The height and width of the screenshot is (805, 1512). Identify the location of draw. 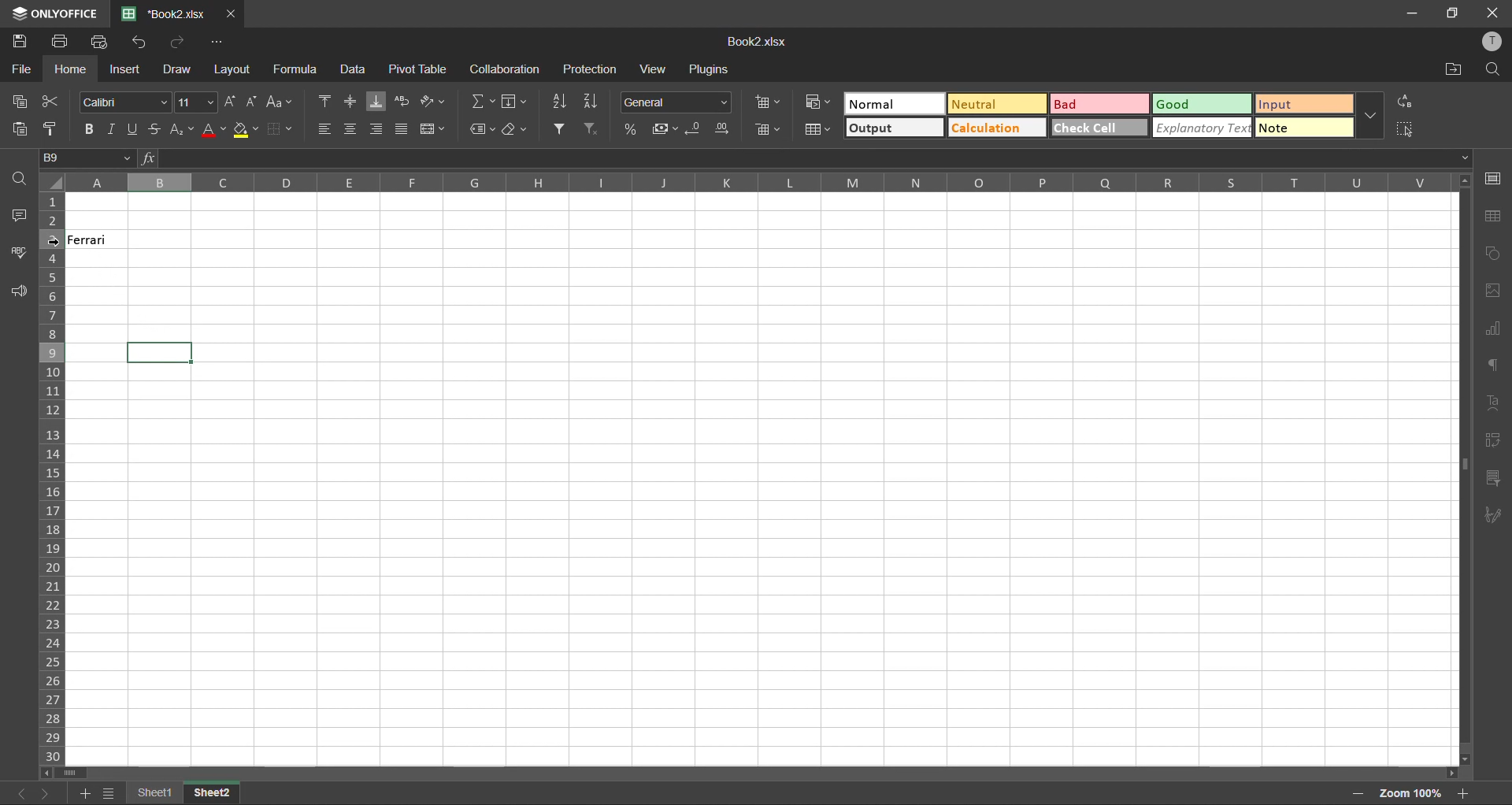
(178, 68).